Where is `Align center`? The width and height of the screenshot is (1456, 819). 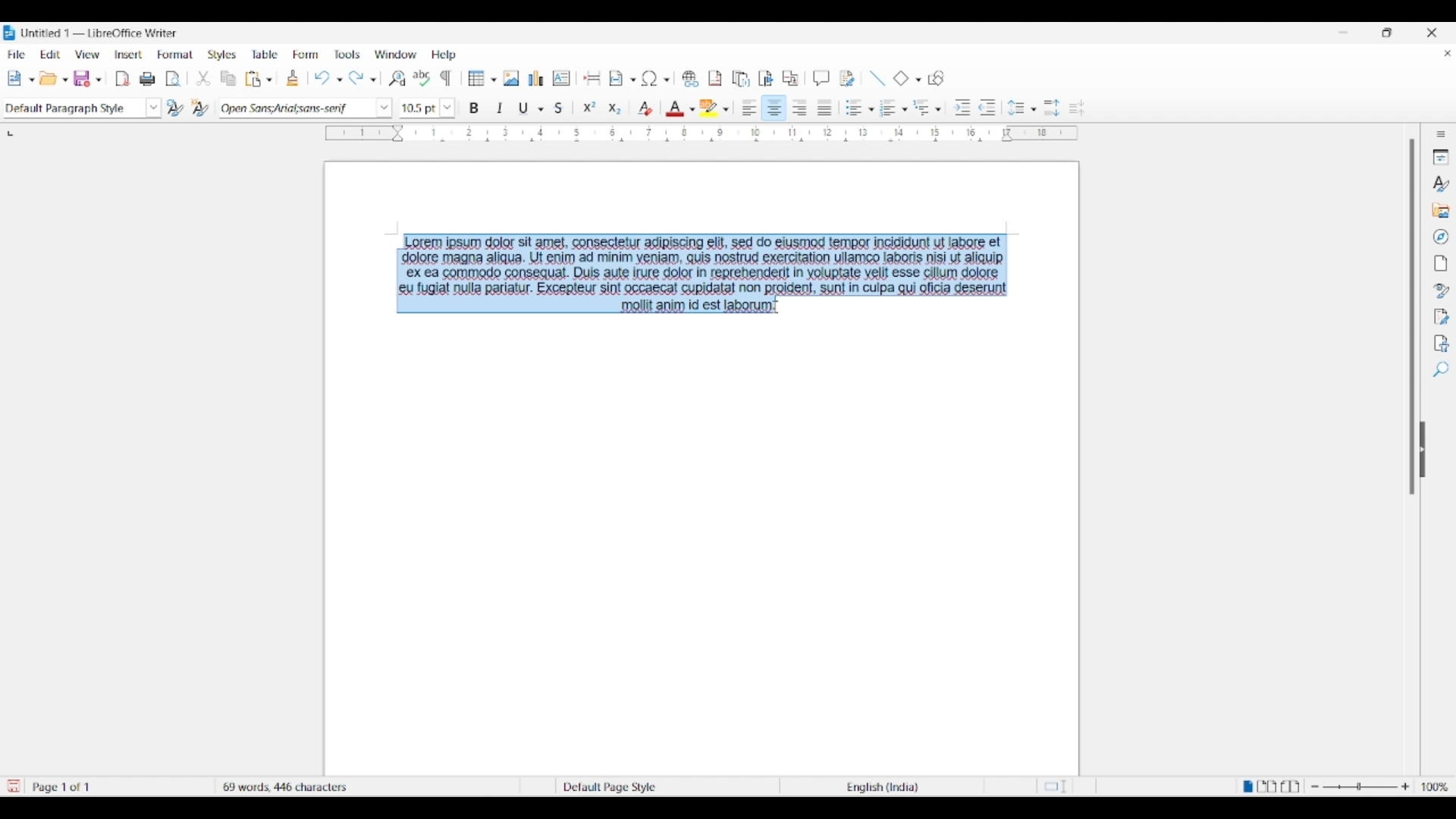
Align center is located at coordinates (774, 108).